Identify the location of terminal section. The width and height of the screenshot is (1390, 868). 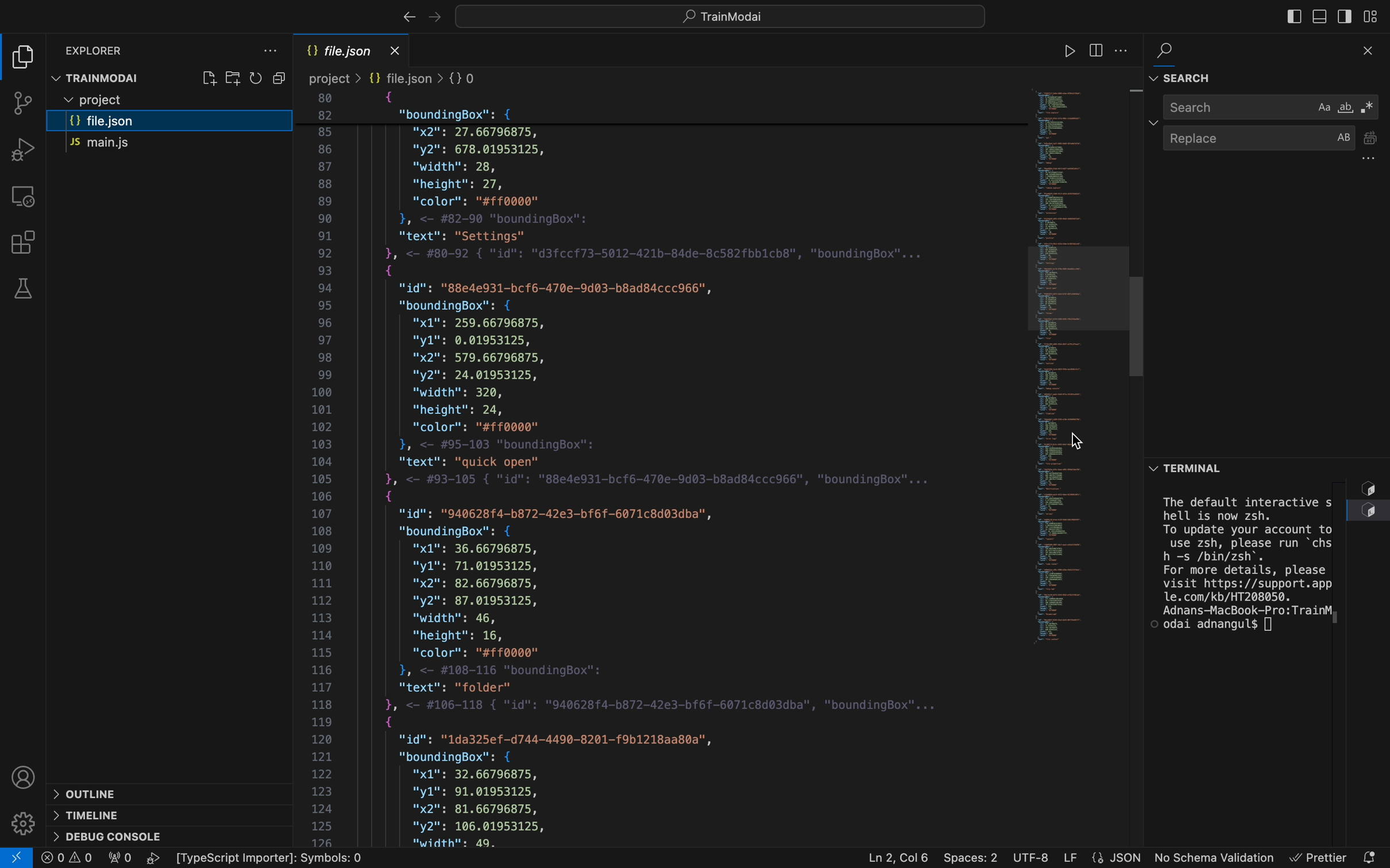
(1269, 648).